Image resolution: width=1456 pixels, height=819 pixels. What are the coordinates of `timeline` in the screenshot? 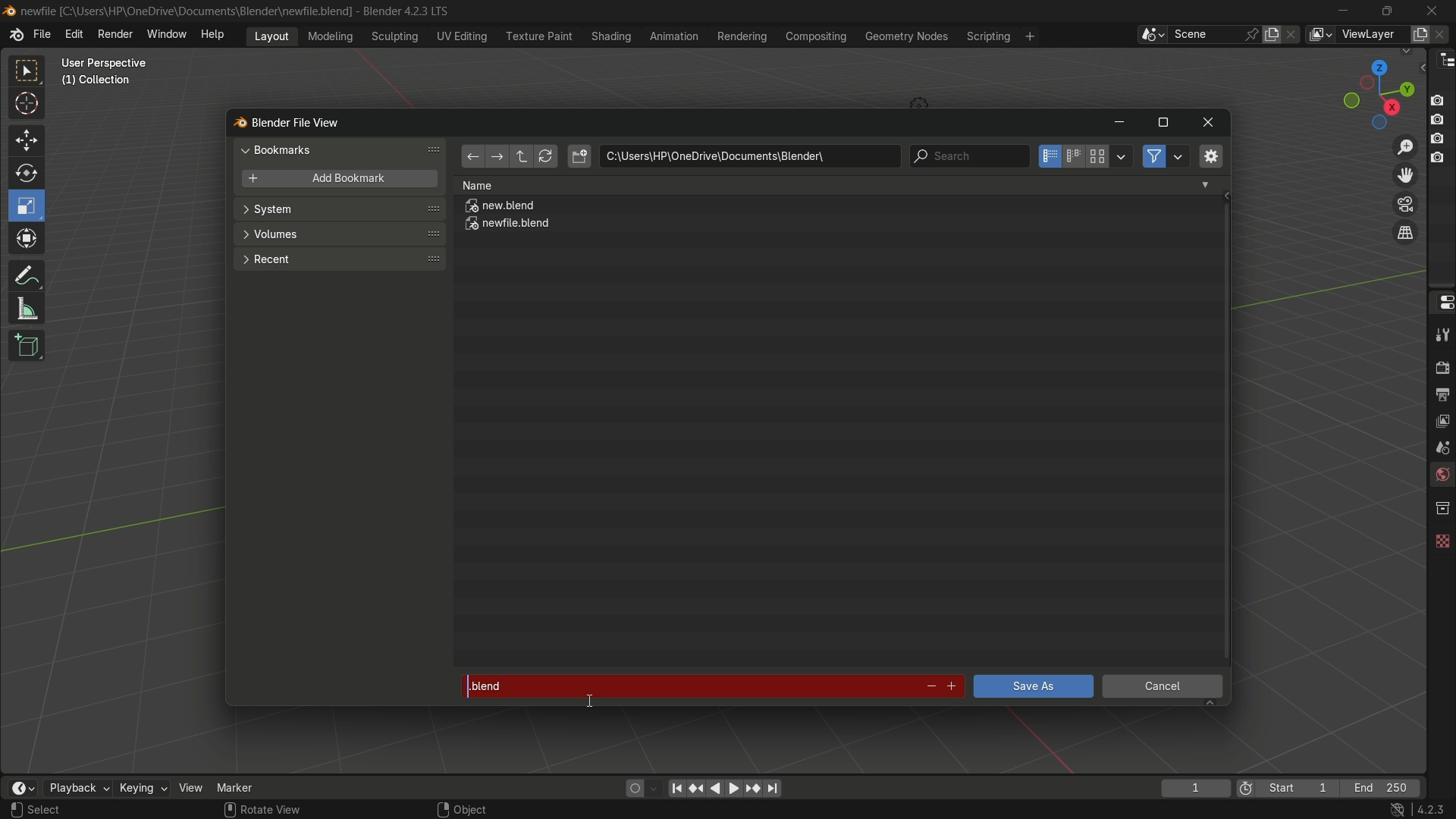 It's located at (22, 788).